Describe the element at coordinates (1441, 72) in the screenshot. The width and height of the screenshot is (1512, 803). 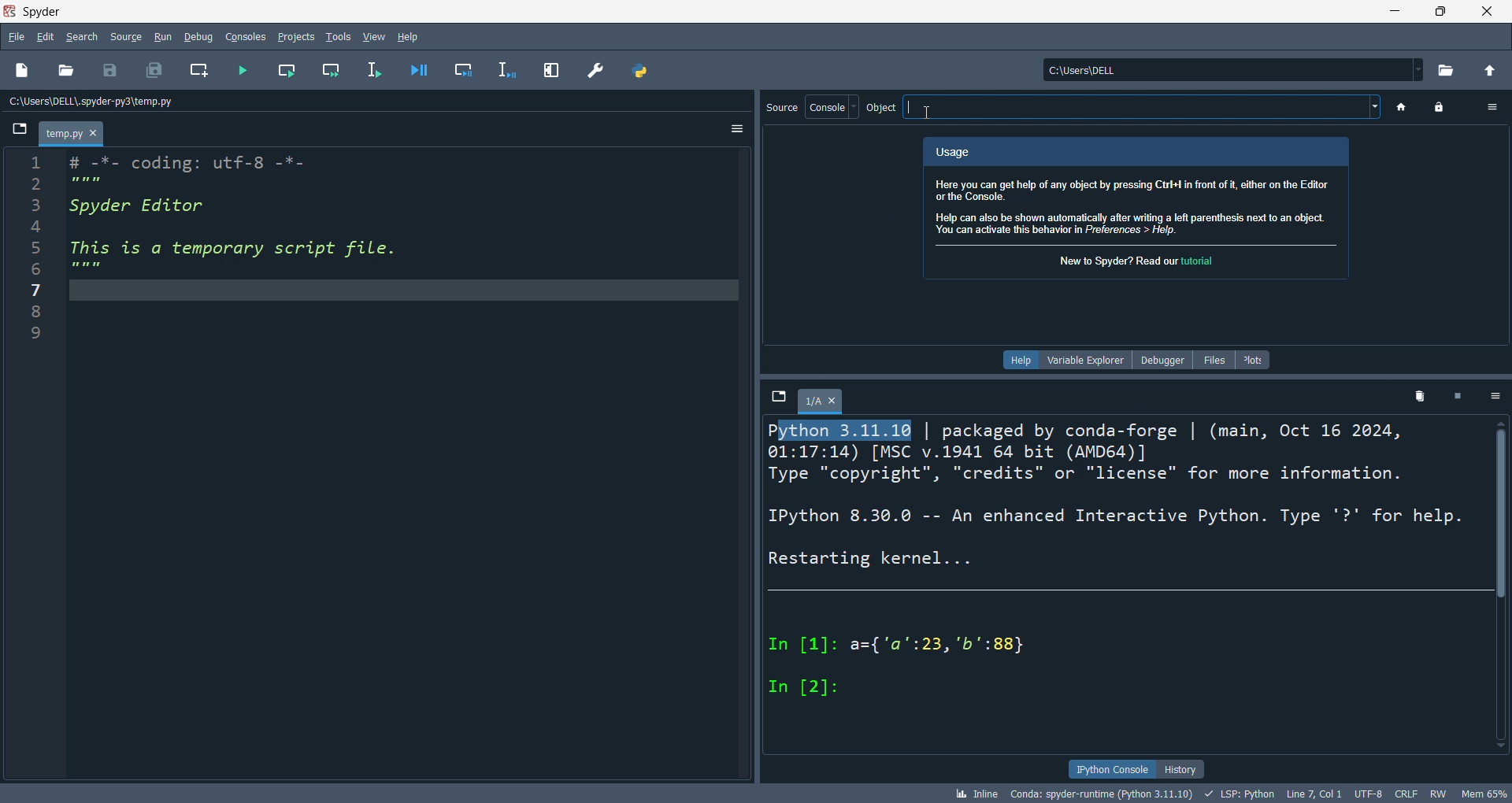
I see `open directory` at that location.